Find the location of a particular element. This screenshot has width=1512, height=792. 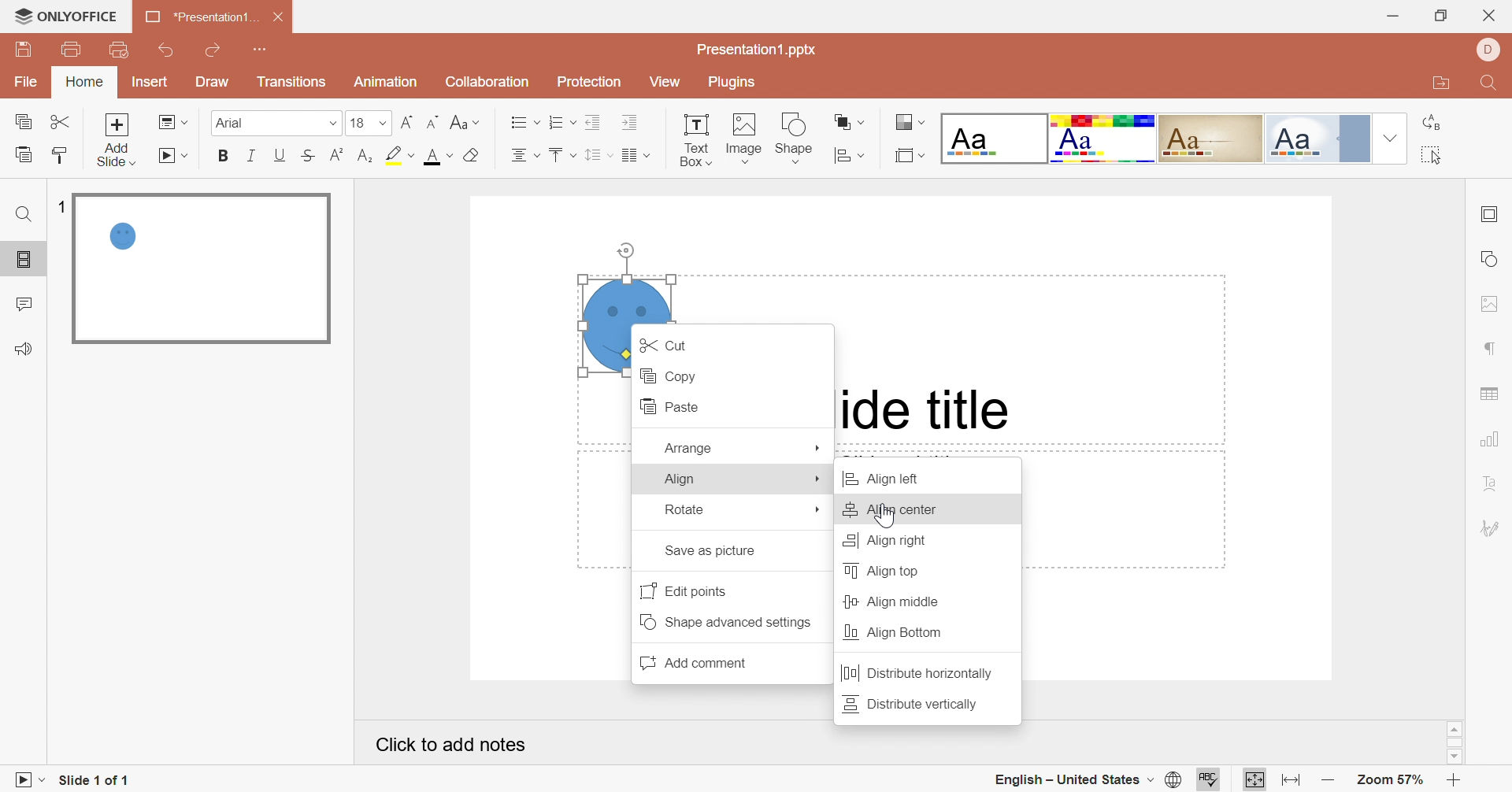

Align Right is located at coordinates (884, 539).